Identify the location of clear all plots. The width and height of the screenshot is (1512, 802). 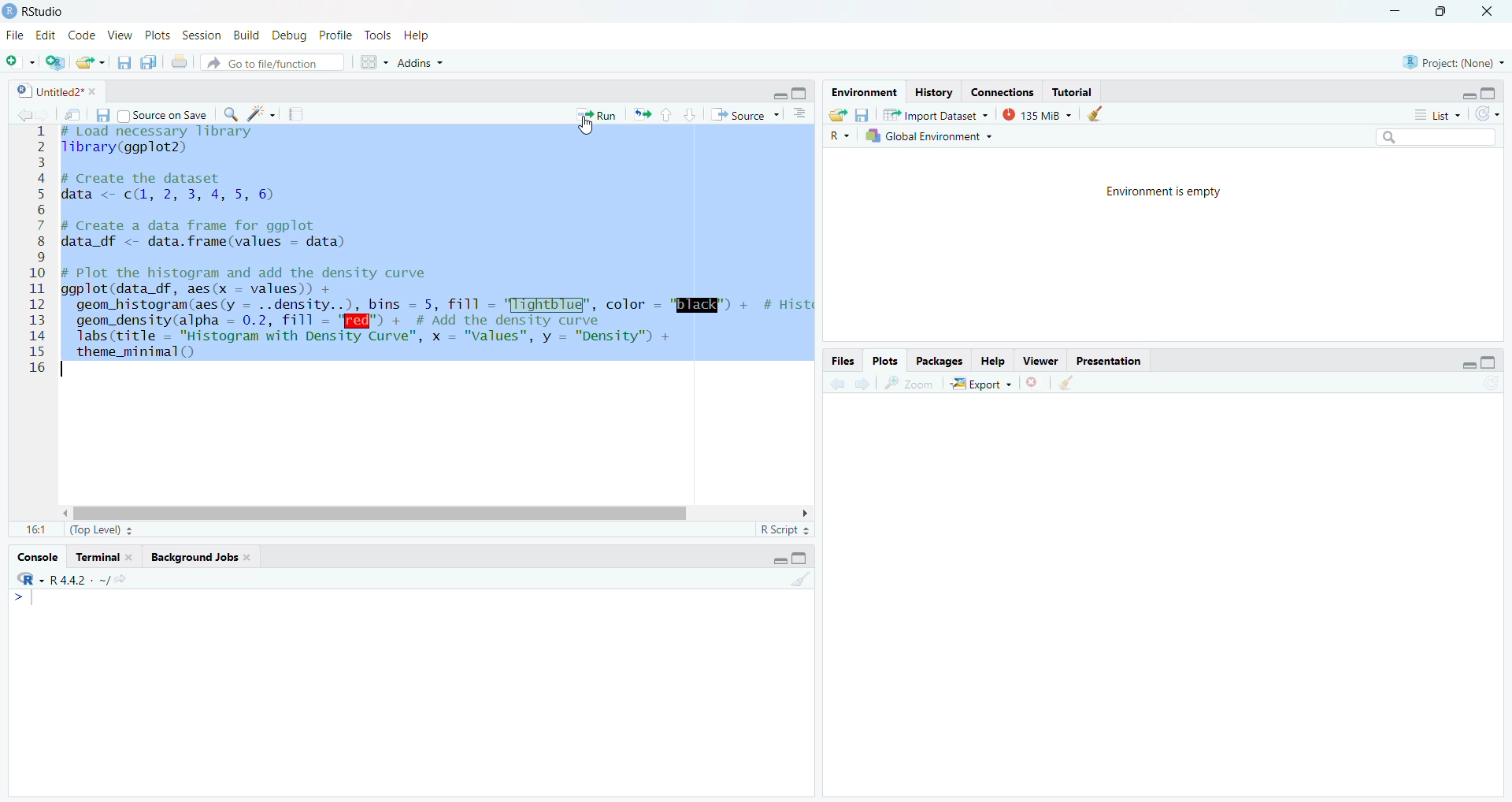
(1067, 383).